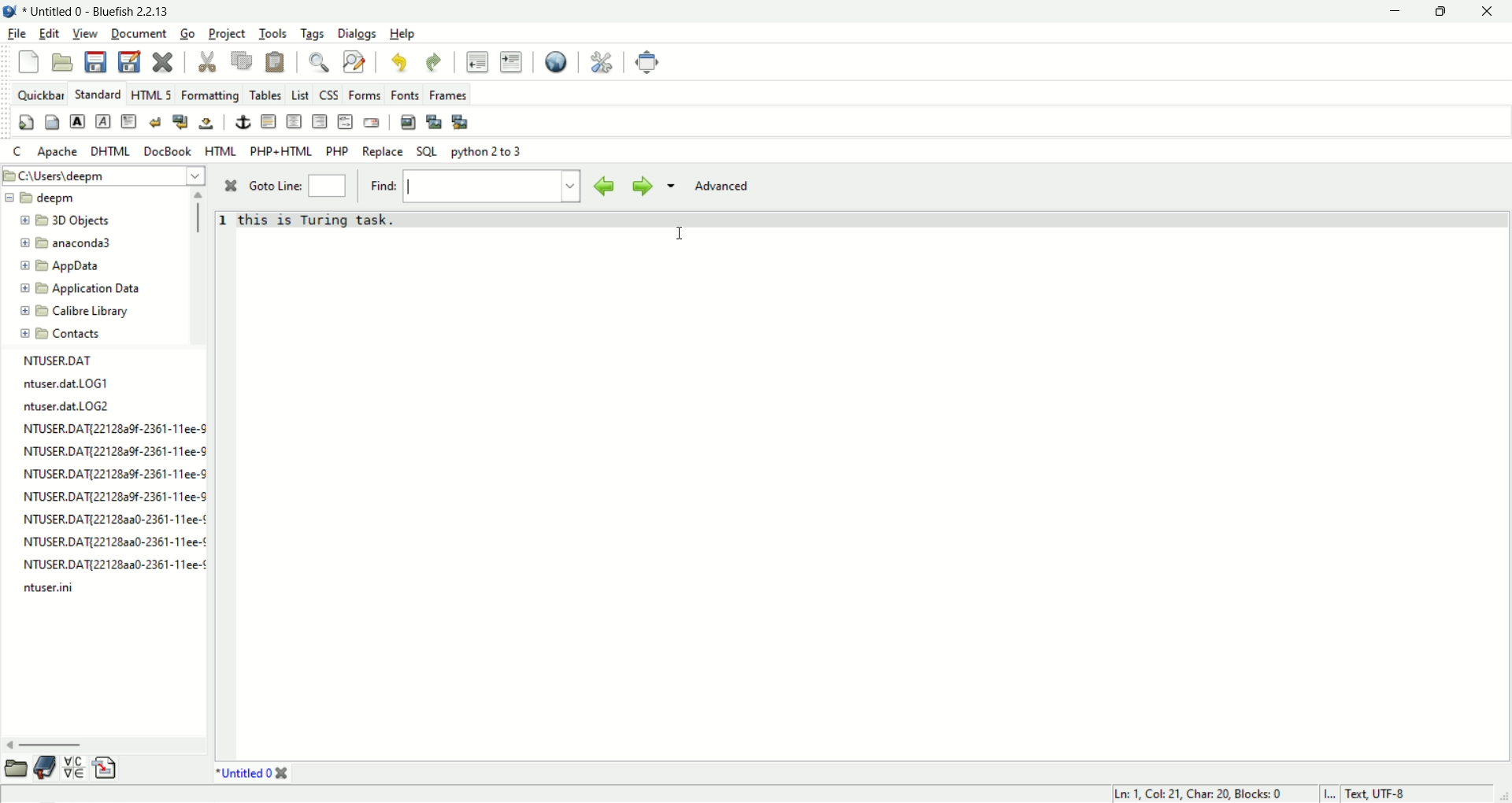  Describe the element at coordinates (52, 590) in the screenshot. I see `ntuser.ini` at that location.